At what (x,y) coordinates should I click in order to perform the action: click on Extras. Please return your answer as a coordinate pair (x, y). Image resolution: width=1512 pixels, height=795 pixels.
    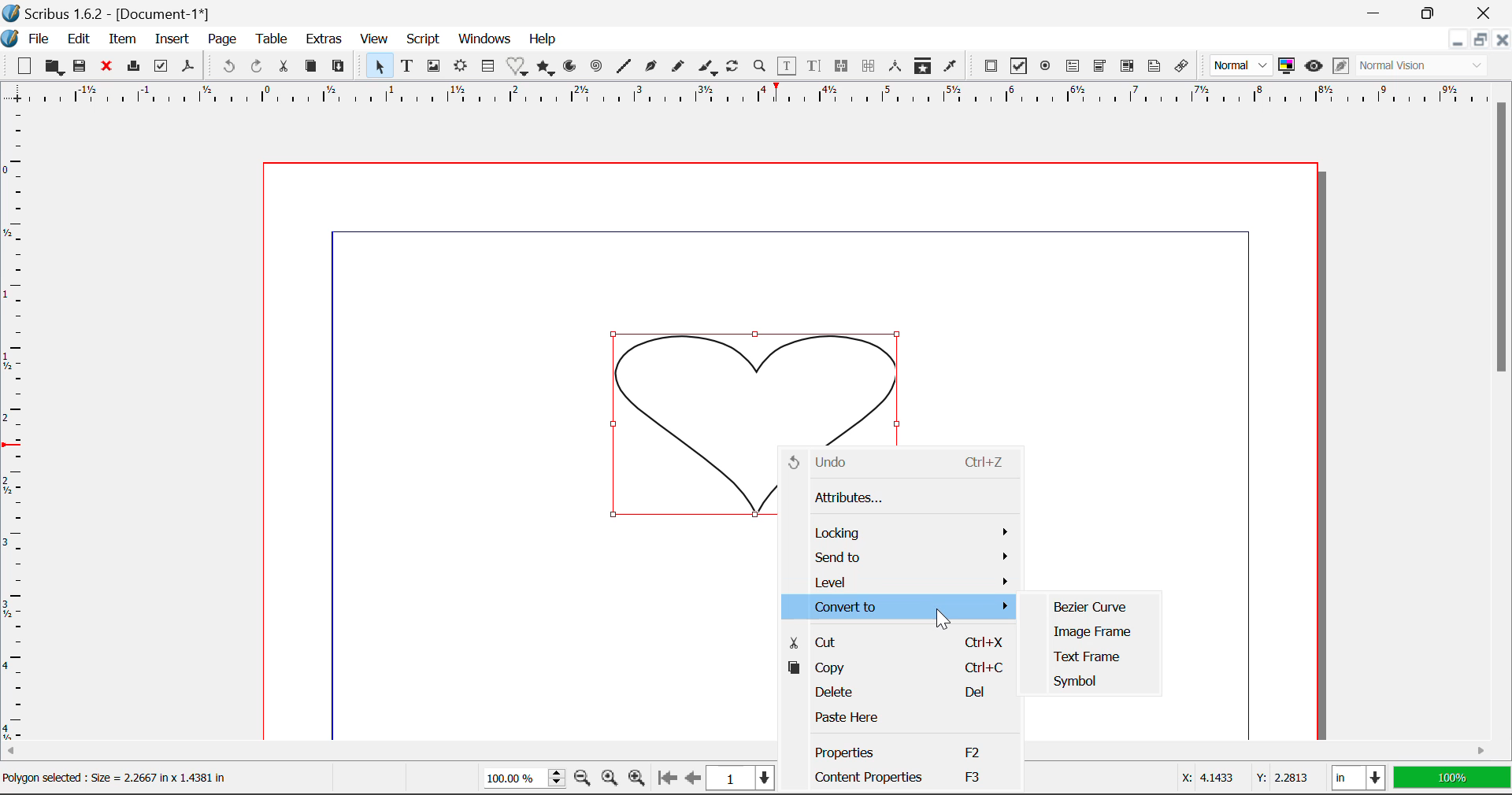
    Looking at the image, I should click on (327, 40).